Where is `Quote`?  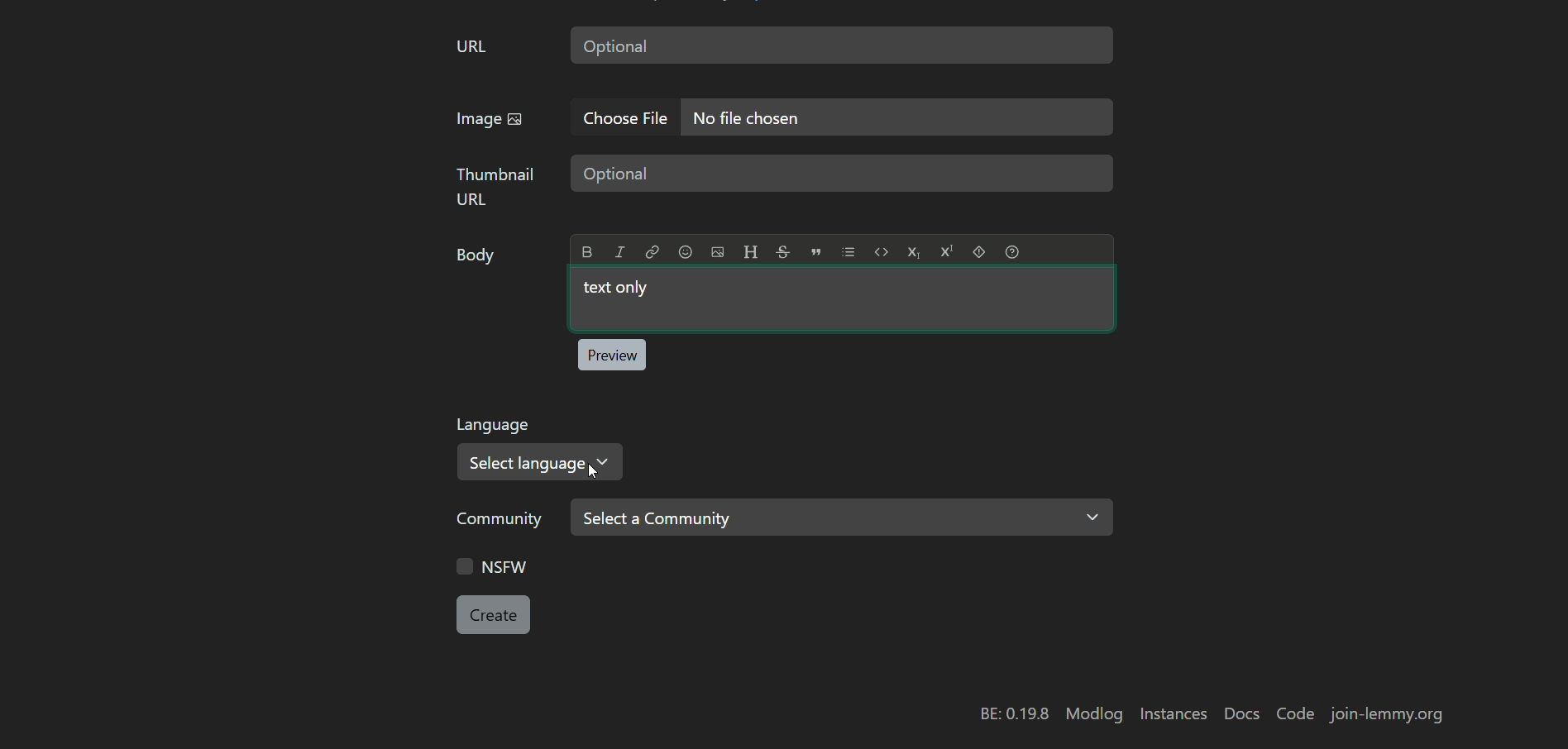 Quote is located at coordinates (816, 251).